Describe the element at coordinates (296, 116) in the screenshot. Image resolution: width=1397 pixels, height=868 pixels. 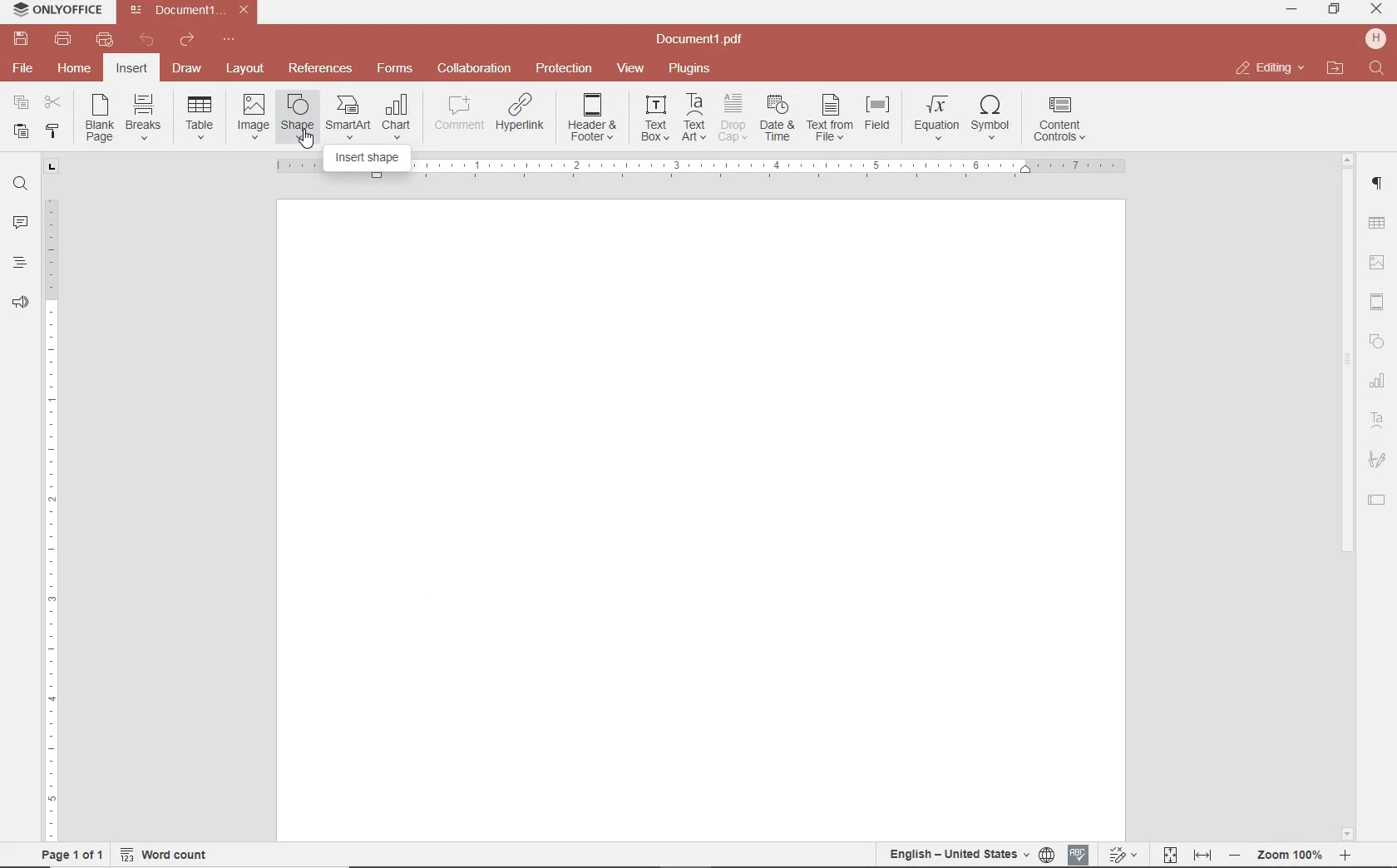
I see `INSERT SHAPE` at that location.